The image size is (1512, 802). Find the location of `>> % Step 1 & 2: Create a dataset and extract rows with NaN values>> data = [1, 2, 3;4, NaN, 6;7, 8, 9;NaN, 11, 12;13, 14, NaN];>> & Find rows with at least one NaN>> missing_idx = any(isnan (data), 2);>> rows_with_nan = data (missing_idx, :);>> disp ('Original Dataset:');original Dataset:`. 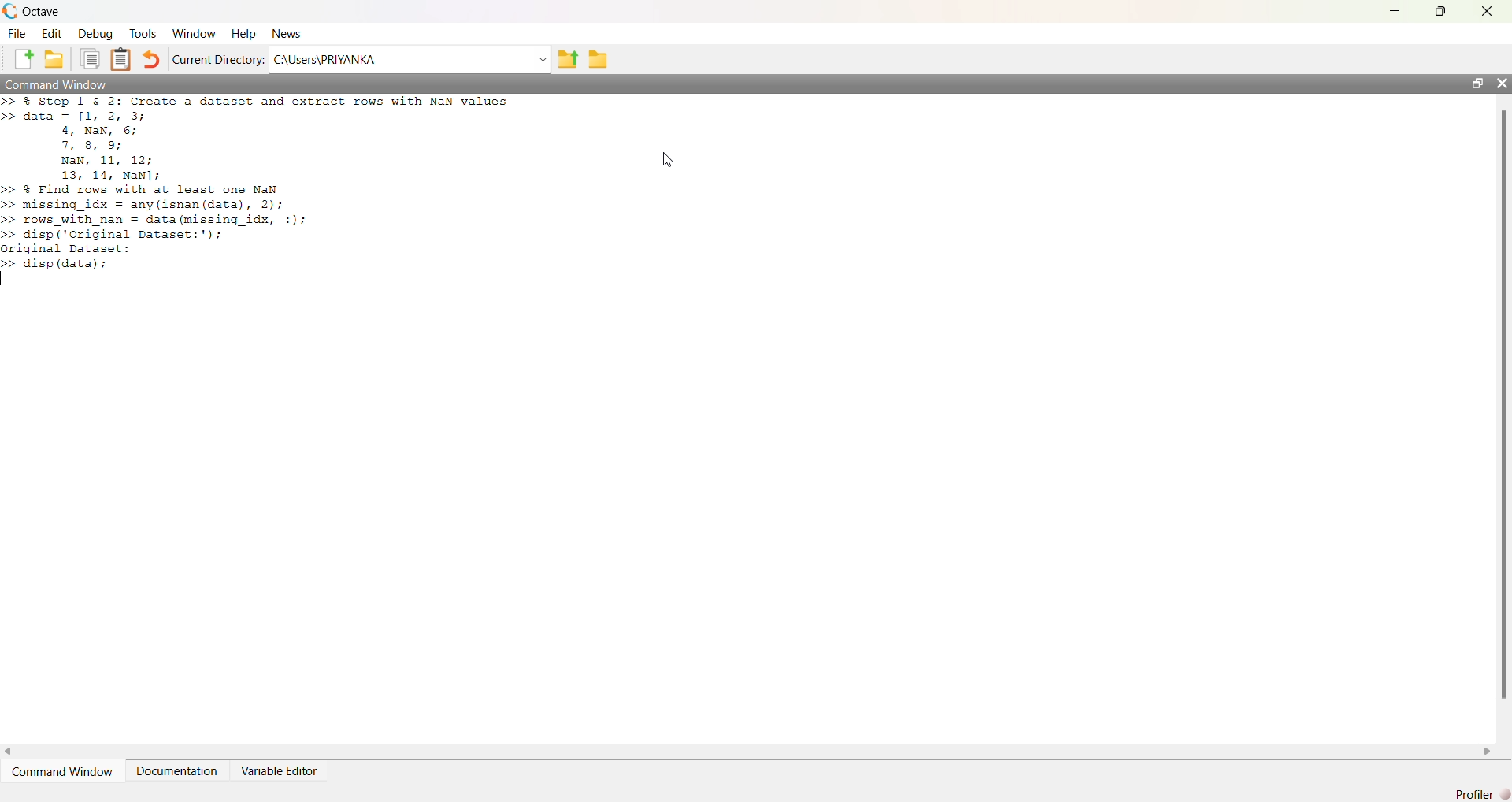

>> % Step 1 & 2: Create a dataset and extract rows with NaN values>> data = [1, 2, 3;4, NaN, 6;7, 8, 9;NaN, 11, 12;13, 14, NaN];>> & Find rows with at least one NaN>> missing_idx = any(isnan (data), 2);>> rows_with_nan = data (missing_idx, :);>> disp ('Original Dataset:');original Dataset: is located at coordinates (259, 183).